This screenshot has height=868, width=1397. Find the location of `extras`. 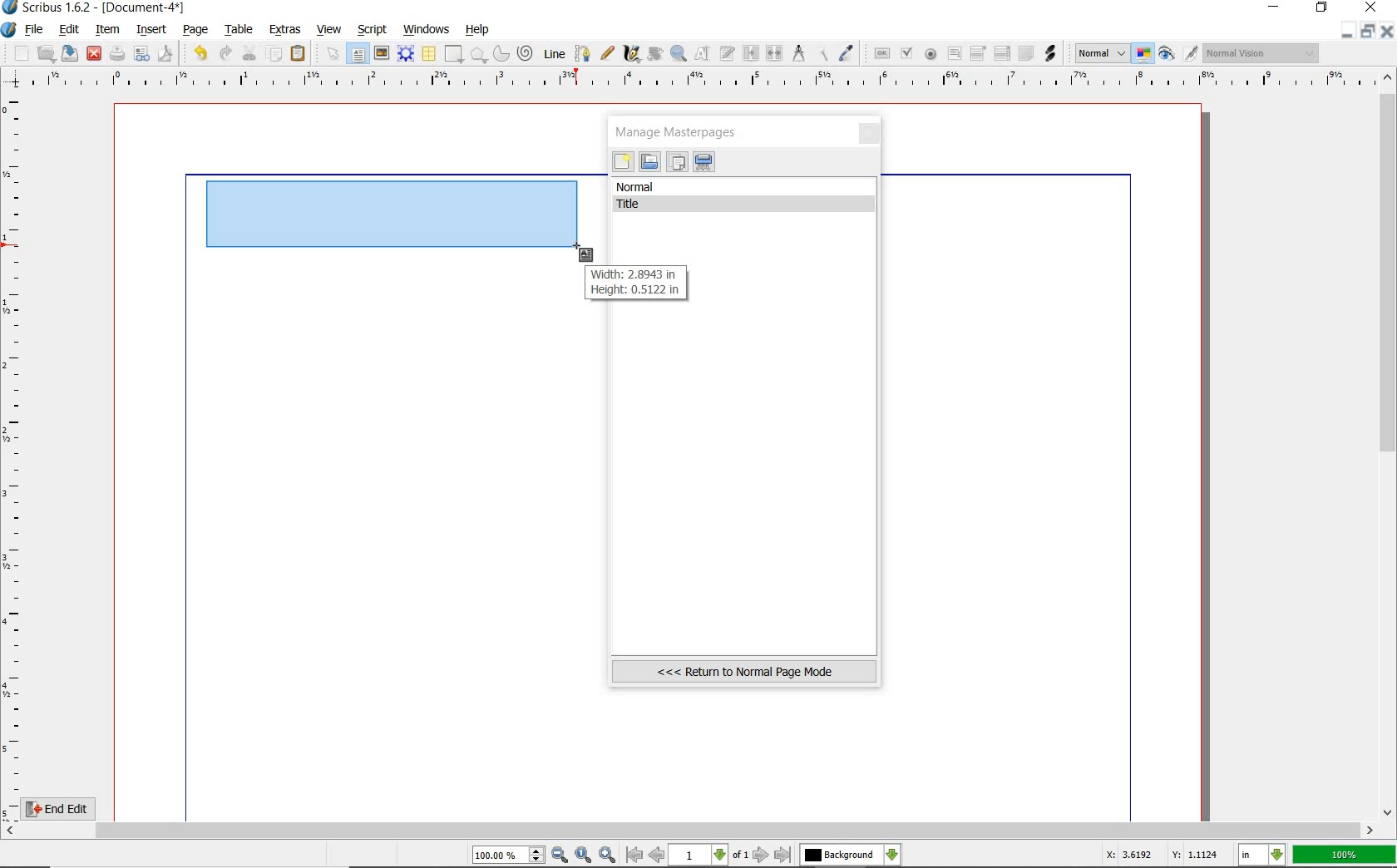

extras is located at coordinates (286, 30).